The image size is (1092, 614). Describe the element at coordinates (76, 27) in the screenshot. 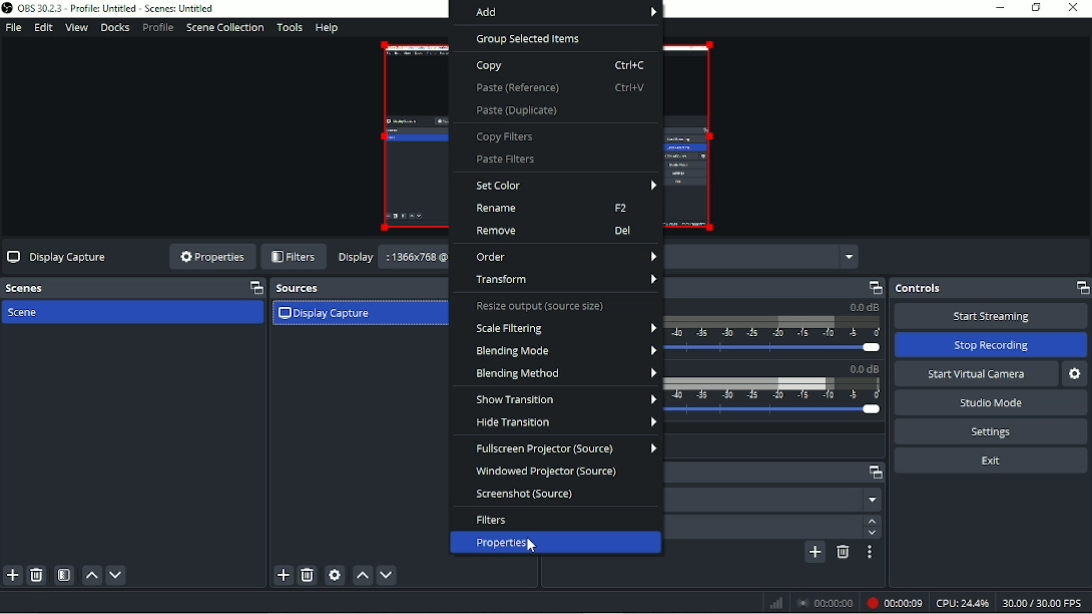

I see `View` at that location.